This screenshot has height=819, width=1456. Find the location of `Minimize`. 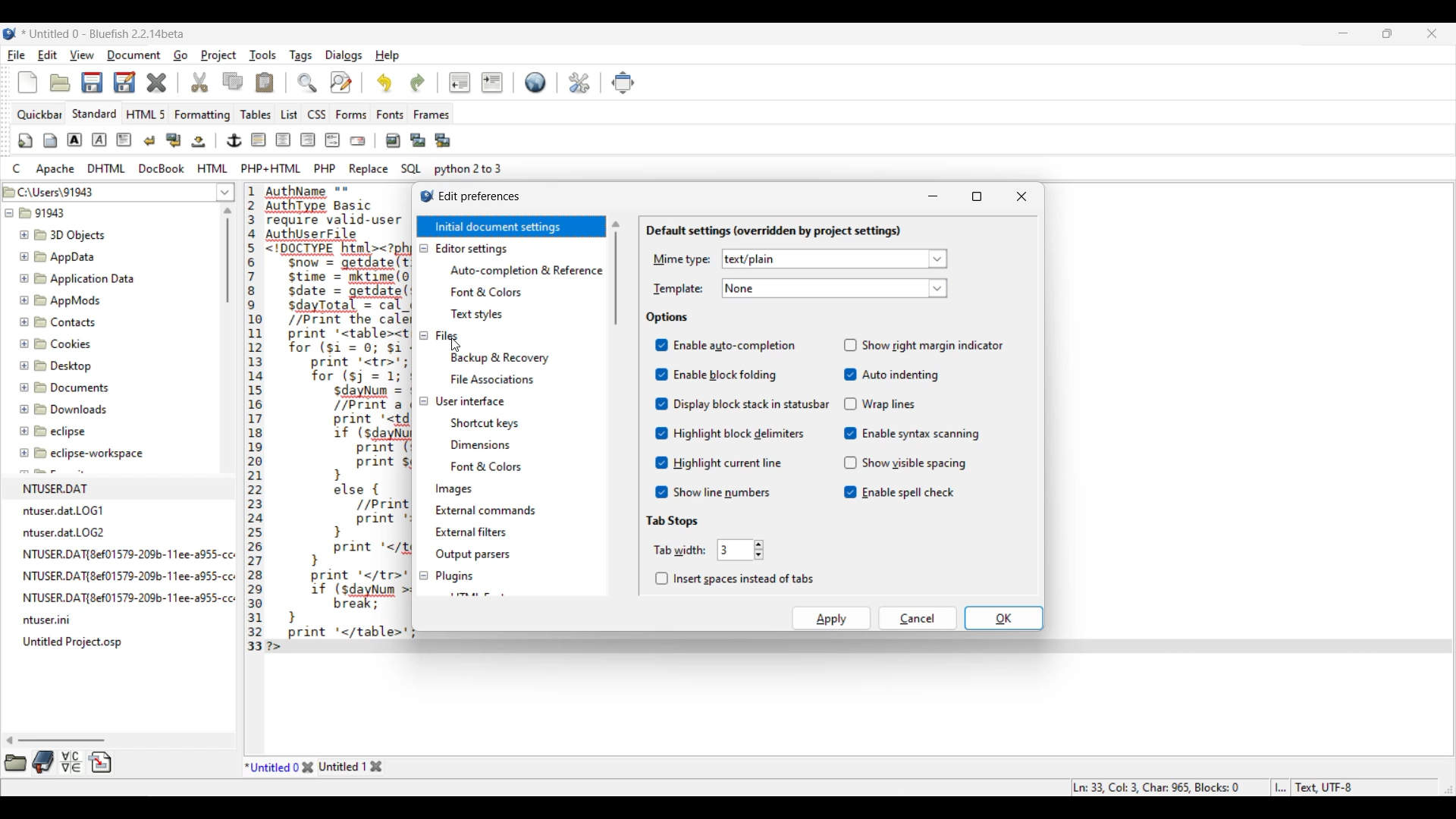

Minimize is located at coordinates (933, 196).